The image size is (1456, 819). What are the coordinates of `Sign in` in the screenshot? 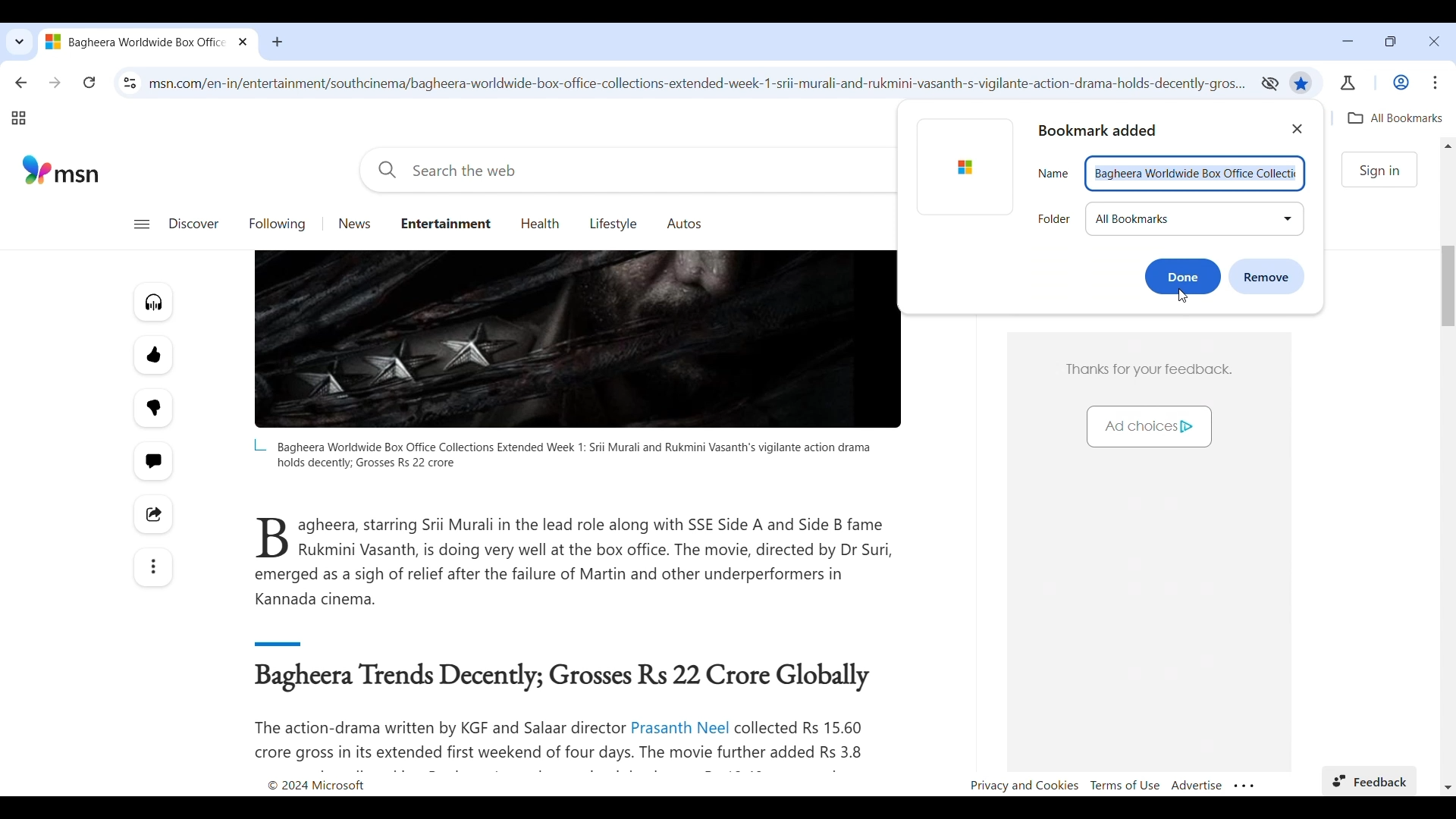 It's located at (1382, 171).